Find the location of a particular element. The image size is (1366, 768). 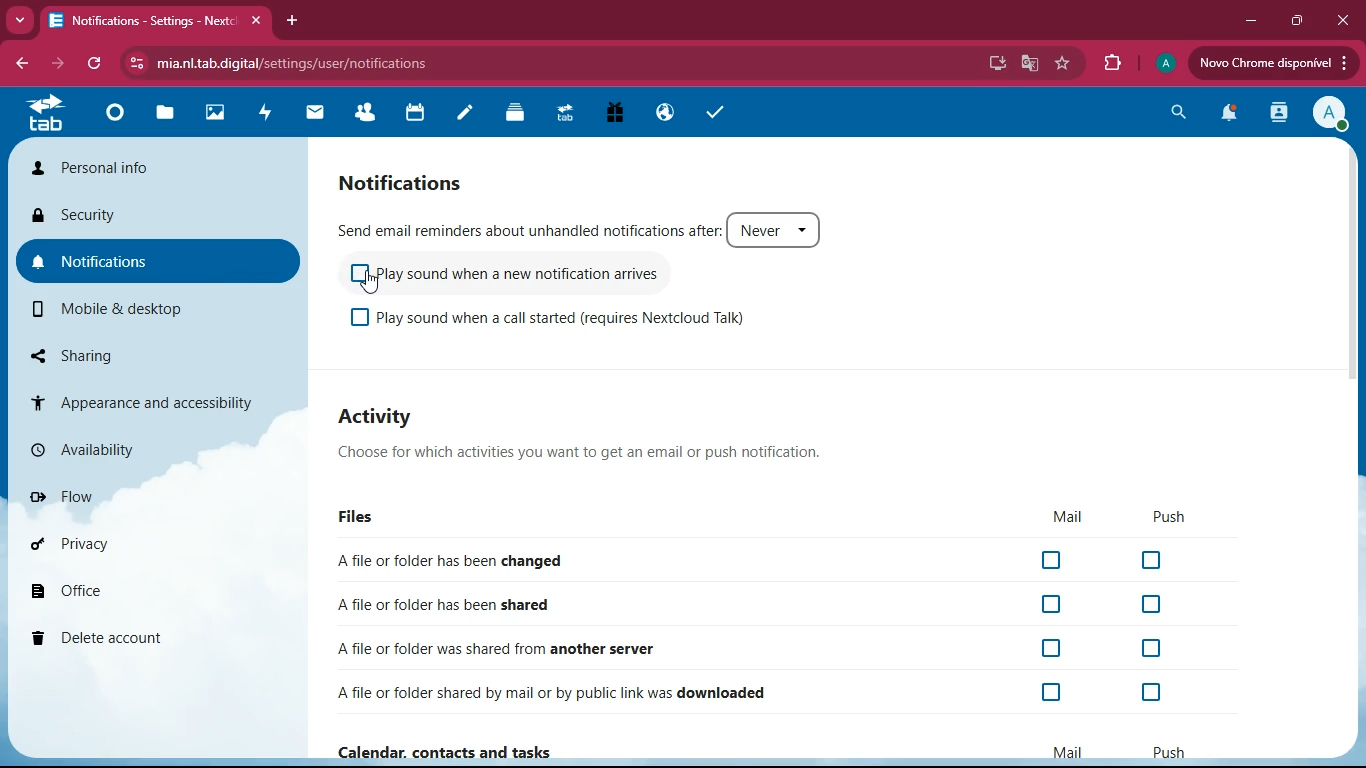

off is located at coordinates (1149, 694).